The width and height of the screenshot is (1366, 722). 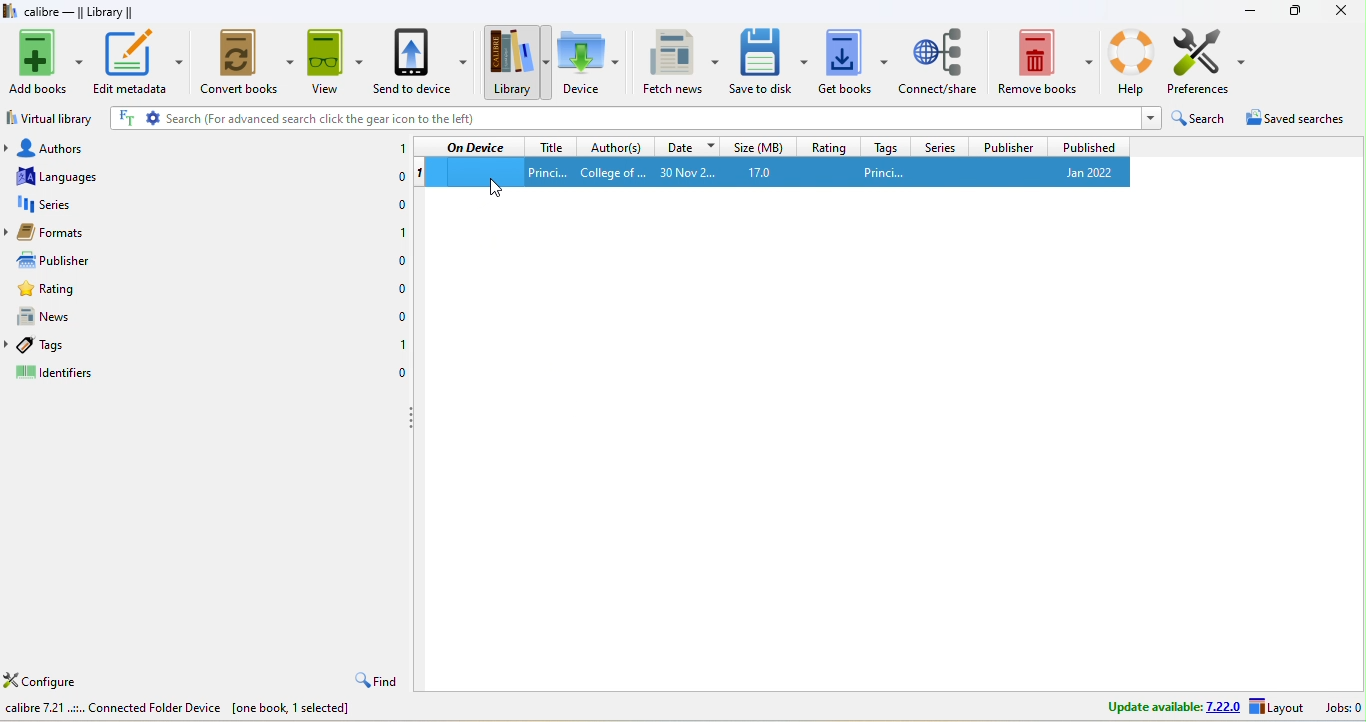 What do you see at coordinates (773, 172) in the screenshot?
I see `17.0` at bounding box center [773, 172].